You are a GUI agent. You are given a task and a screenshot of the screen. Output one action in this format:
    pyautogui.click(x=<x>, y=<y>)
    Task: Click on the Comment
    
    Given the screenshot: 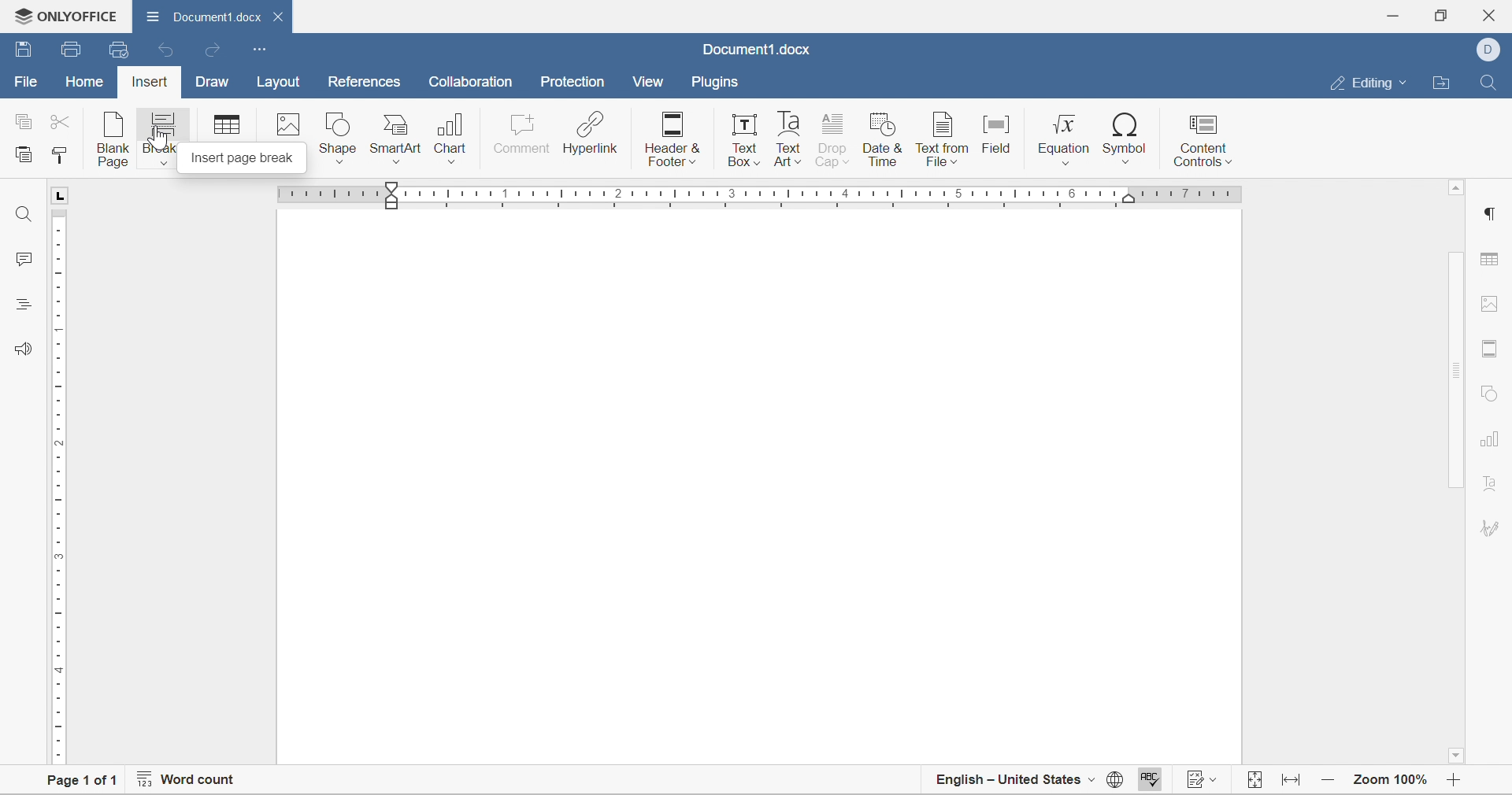 What is the action you would take?
    pyautogui.click(x=522, y=139)
    